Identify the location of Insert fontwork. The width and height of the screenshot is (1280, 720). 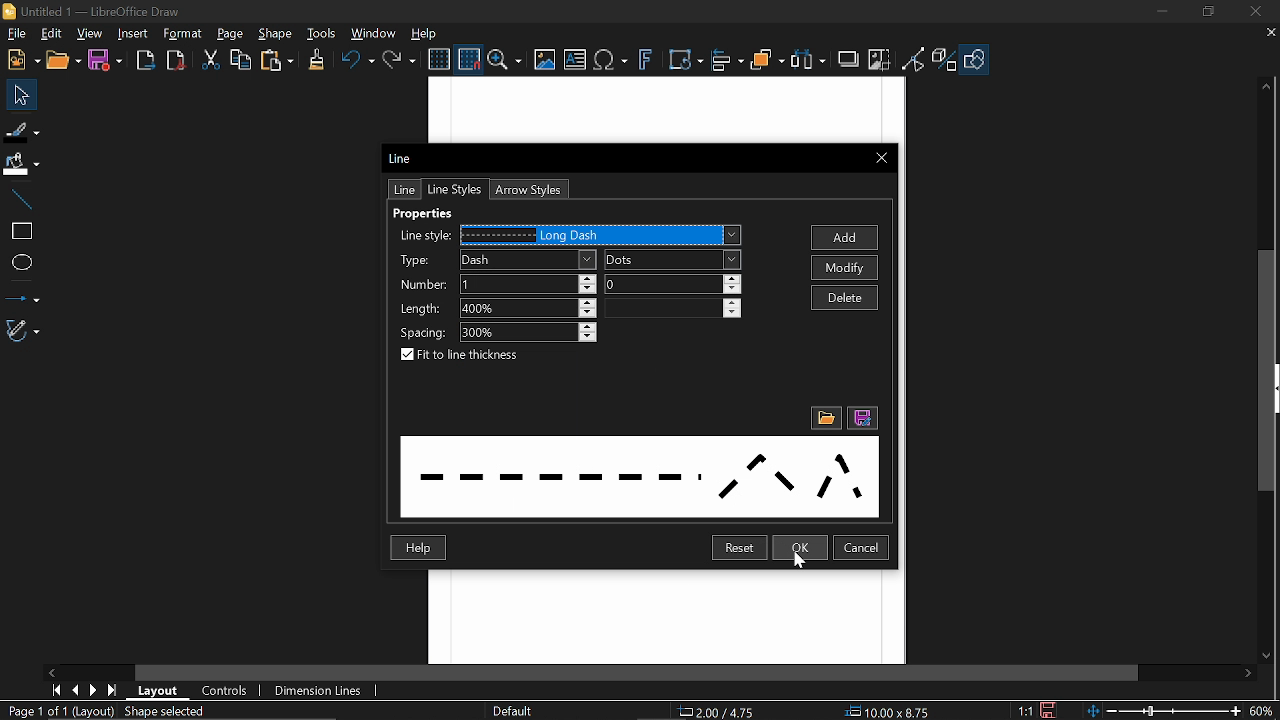
(646, 61).